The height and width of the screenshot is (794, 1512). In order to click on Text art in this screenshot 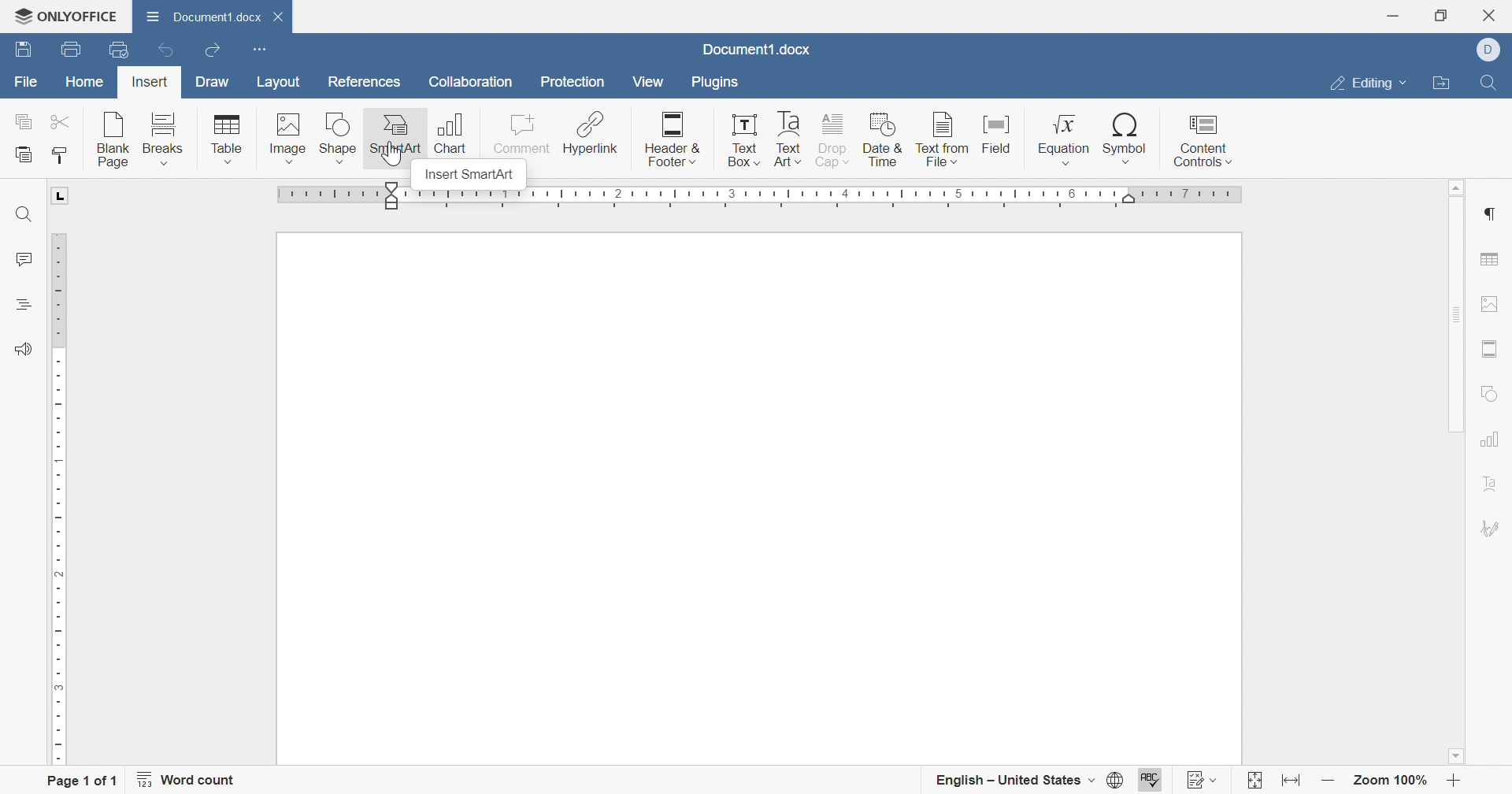, I will do `click(788, 141)`.